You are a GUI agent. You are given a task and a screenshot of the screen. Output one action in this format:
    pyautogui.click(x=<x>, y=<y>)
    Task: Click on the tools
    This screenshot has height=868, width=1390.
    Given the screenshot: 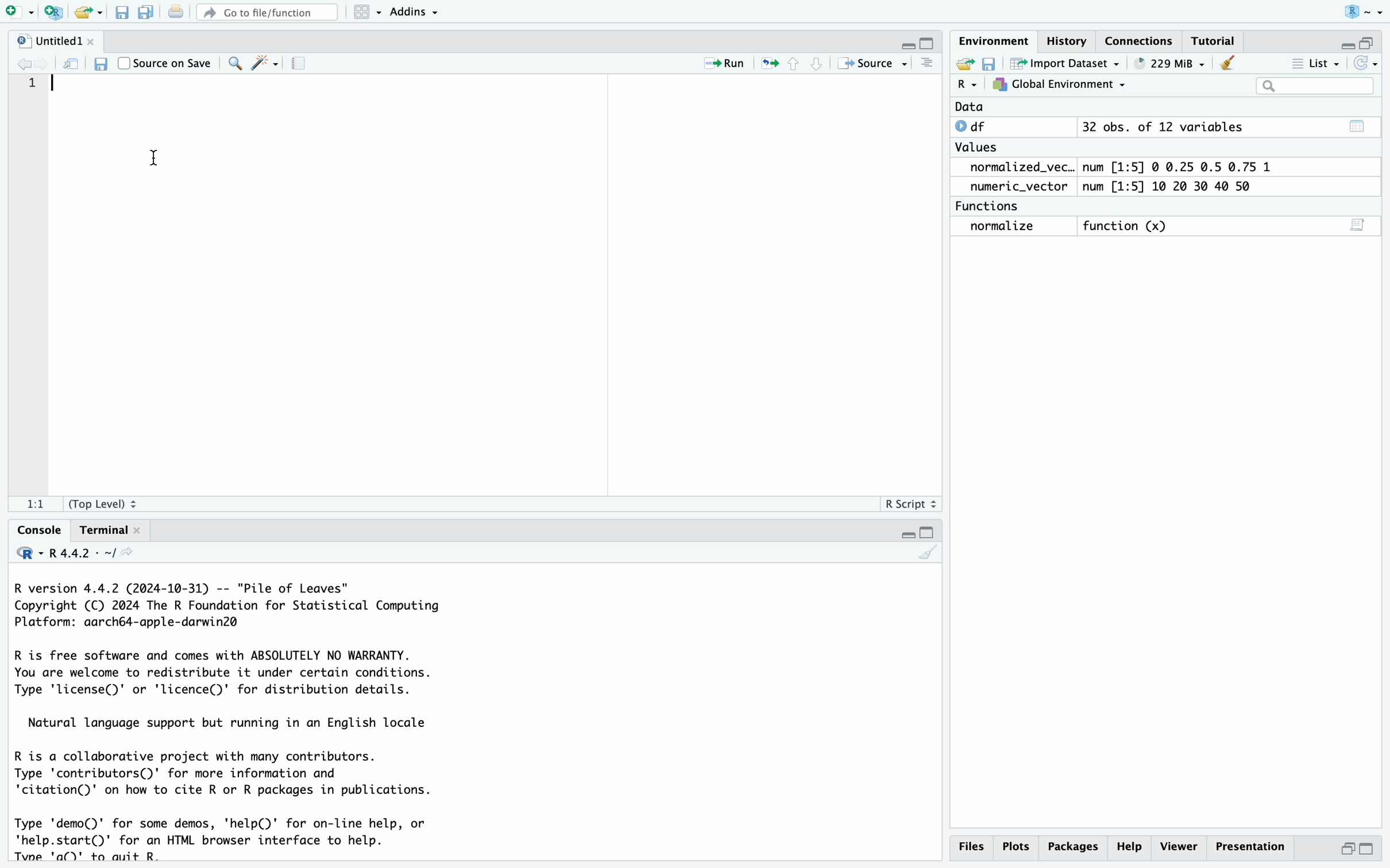 What is the action you would take?
    pyautogui.click(x=265, y=64)
    